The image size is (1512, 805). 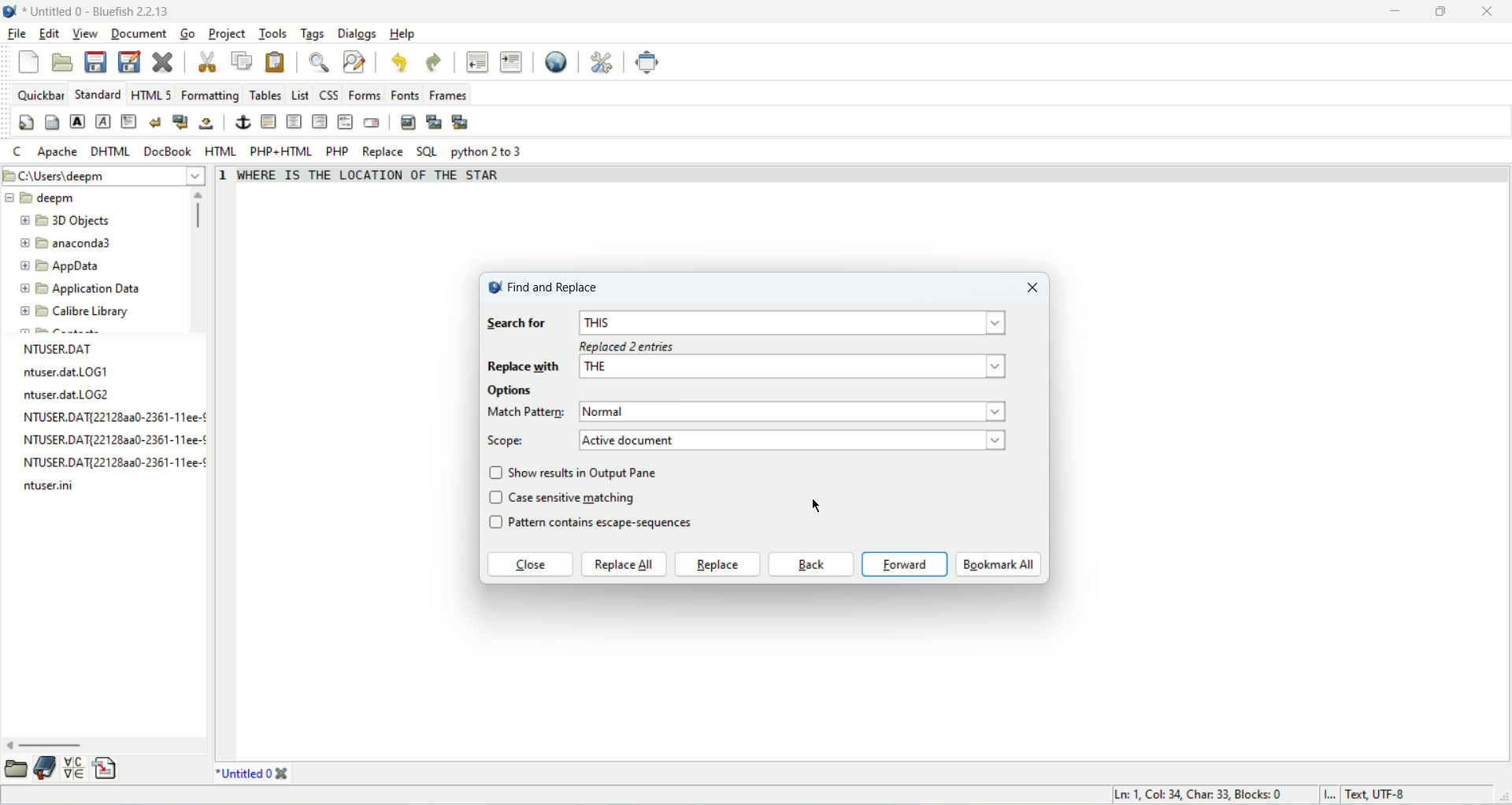 What do you see at coordinates (555, 63) in the screenshot?
I see `view in browser` at bounding box center [555, 63].